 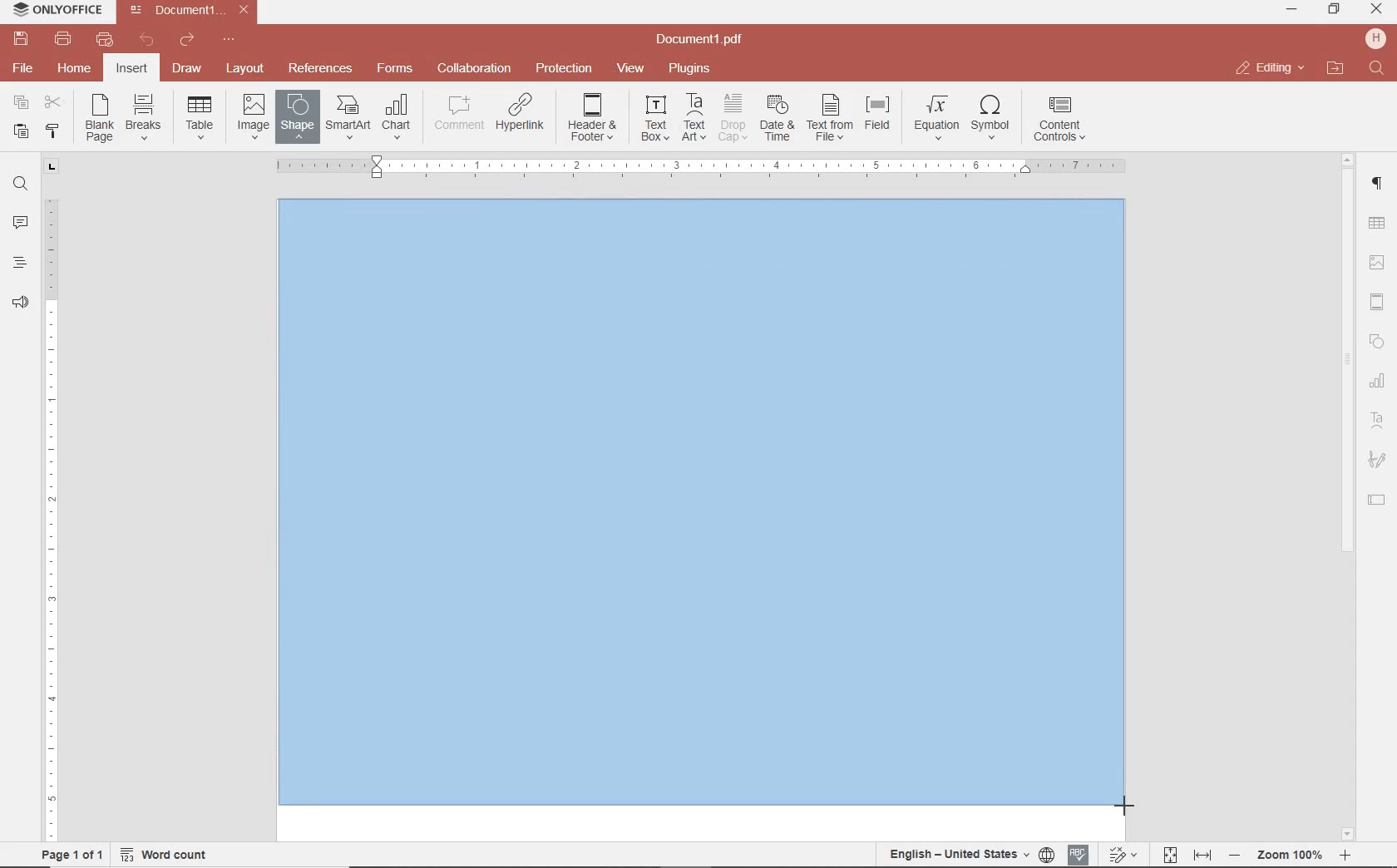 What do you see at coordinates (205, 116) in the screenshot?
I see `insert drop down` at bounding box center [205, 116].